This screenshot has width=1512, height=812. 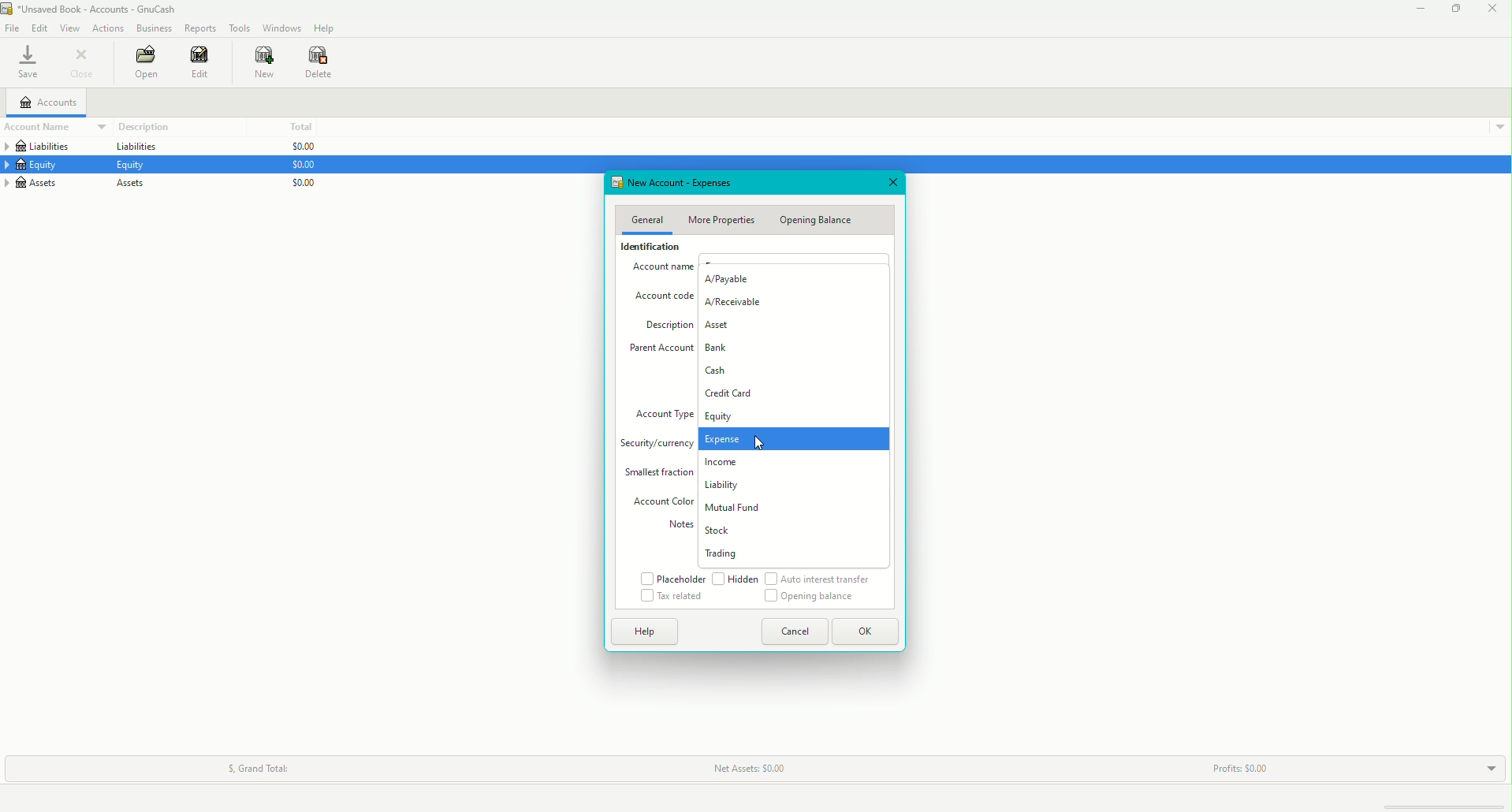 I want to click on Auto interest transfer, so click(x=821, y=579).